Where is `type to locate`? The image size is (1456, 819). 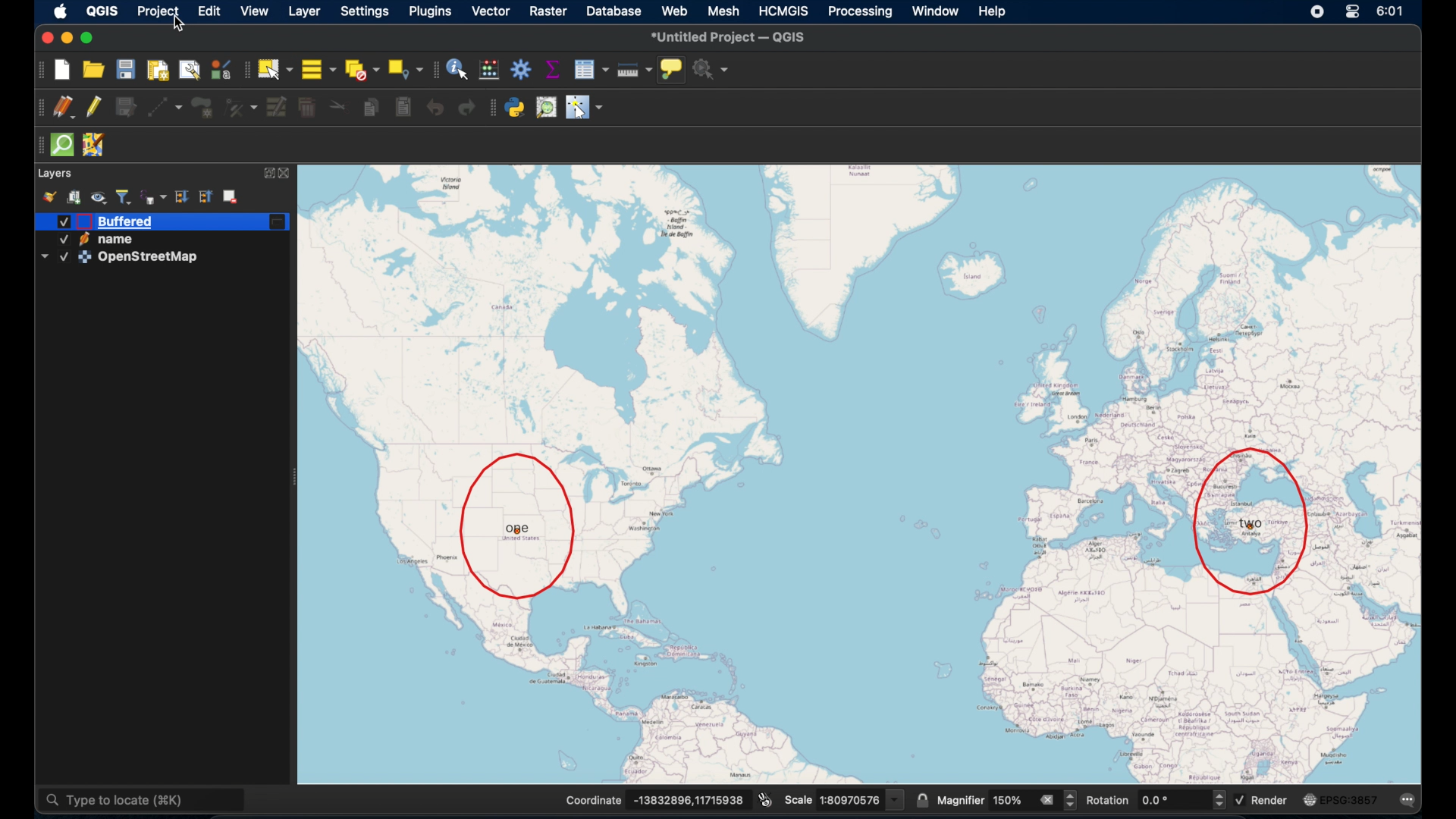 type to locate is located at coordinates (145, 799).